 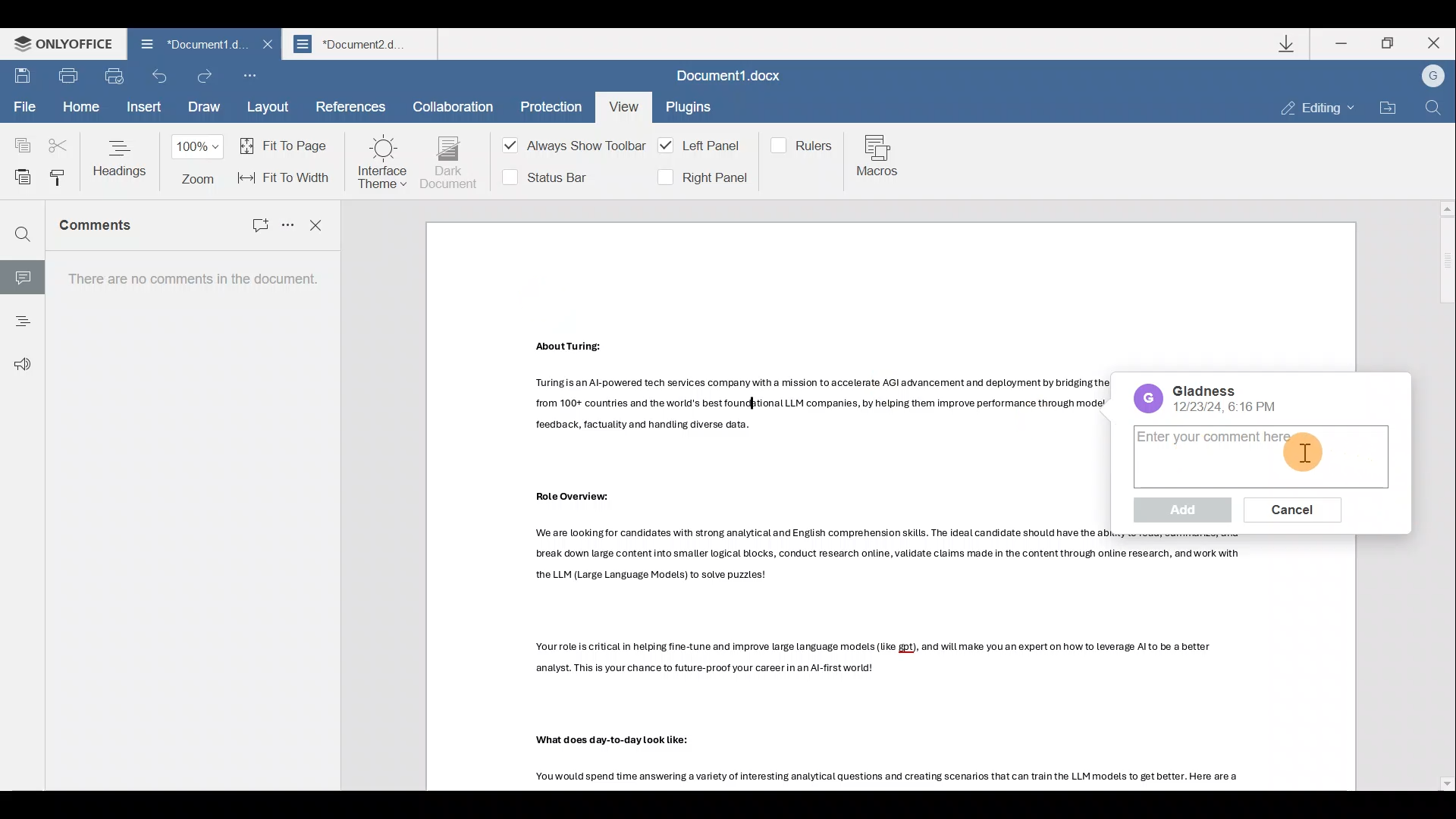 What do you see at coordinates (570, 347) in the screenshot?
I see `` at bounding box center [570, 347].